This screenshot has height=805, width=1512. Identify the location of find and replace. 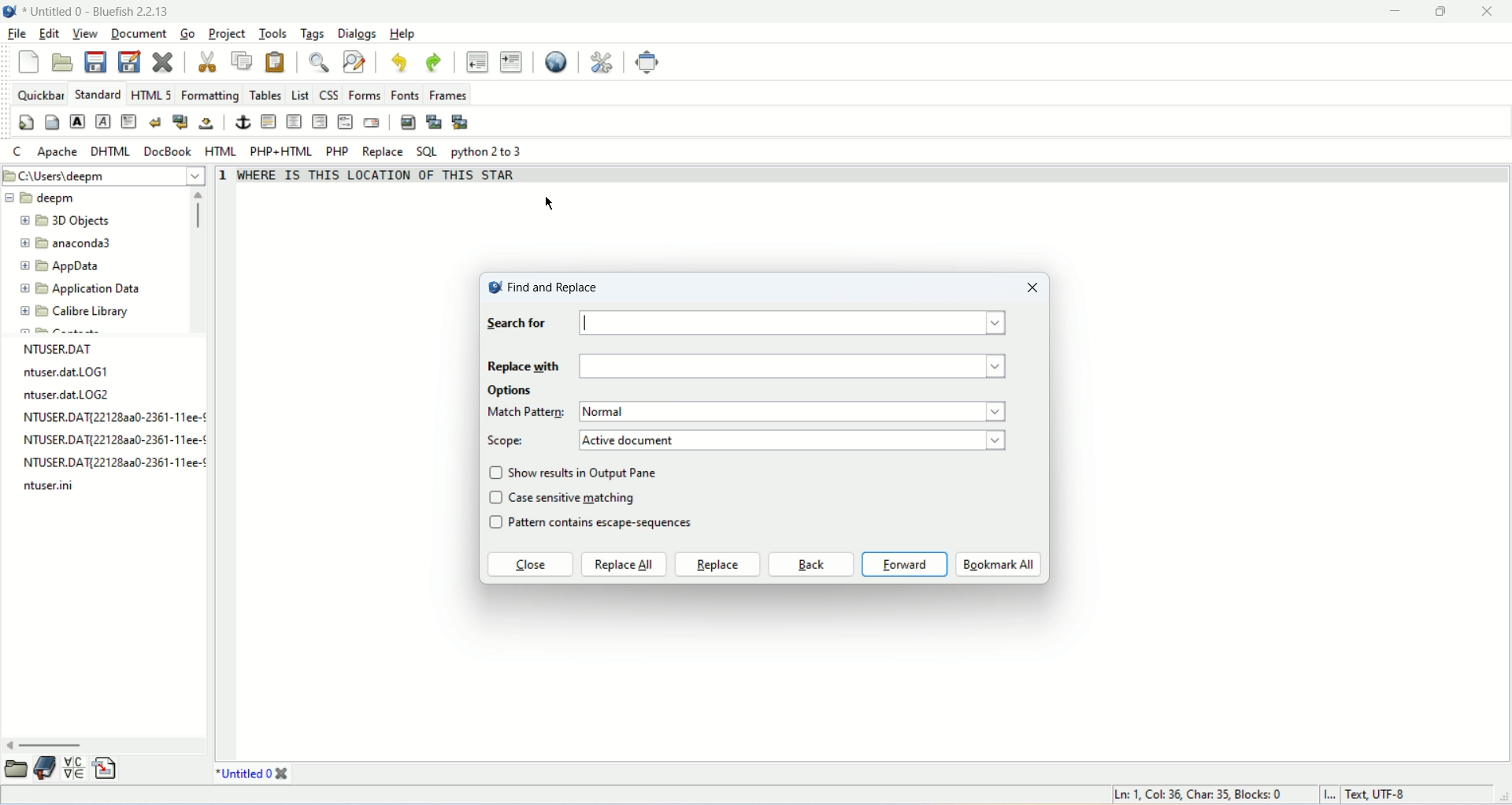
(354, 61).